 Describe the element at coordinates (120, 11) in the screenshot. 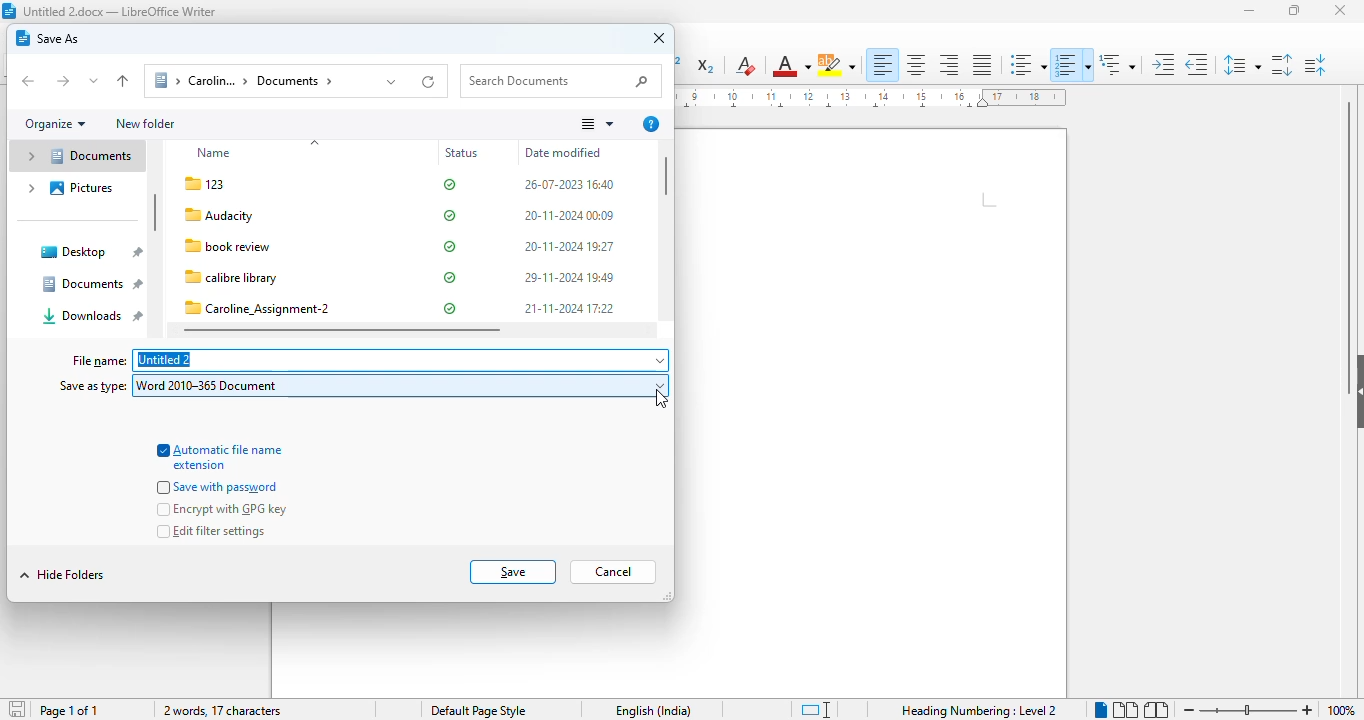

I see `title` at that location.